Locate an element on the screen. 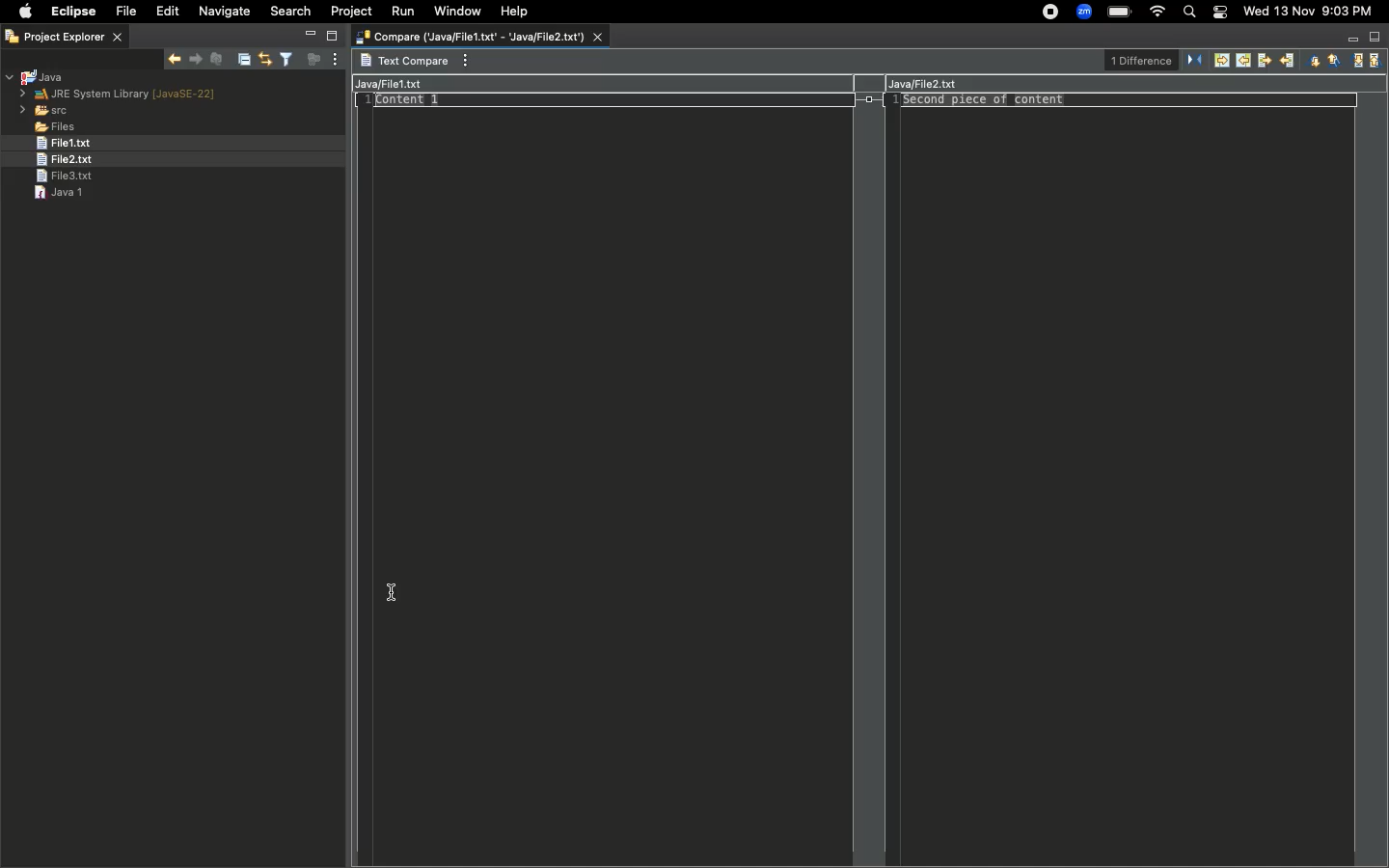 The width and height of the screenshot is (1389, 868). cursor is located at coordinates (395, 591).